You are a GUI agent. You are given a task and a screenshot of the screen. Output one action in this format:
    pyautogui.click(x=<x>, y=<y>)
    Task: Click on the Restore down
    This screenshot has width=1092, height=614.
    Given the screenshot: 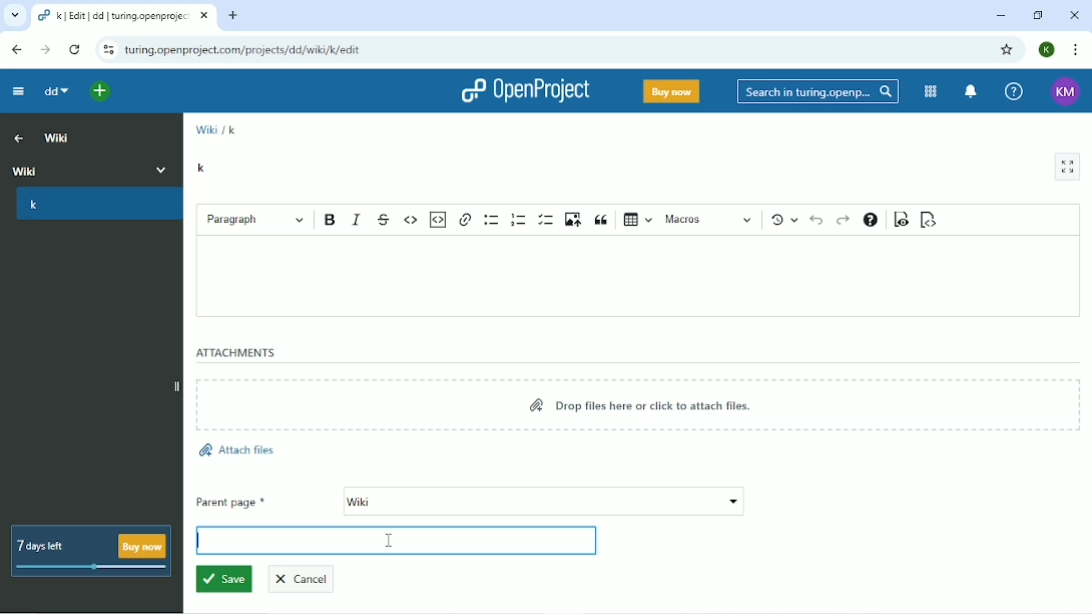 What is the action you would take?
    pyautogui.click(x=1037, y=15)
    